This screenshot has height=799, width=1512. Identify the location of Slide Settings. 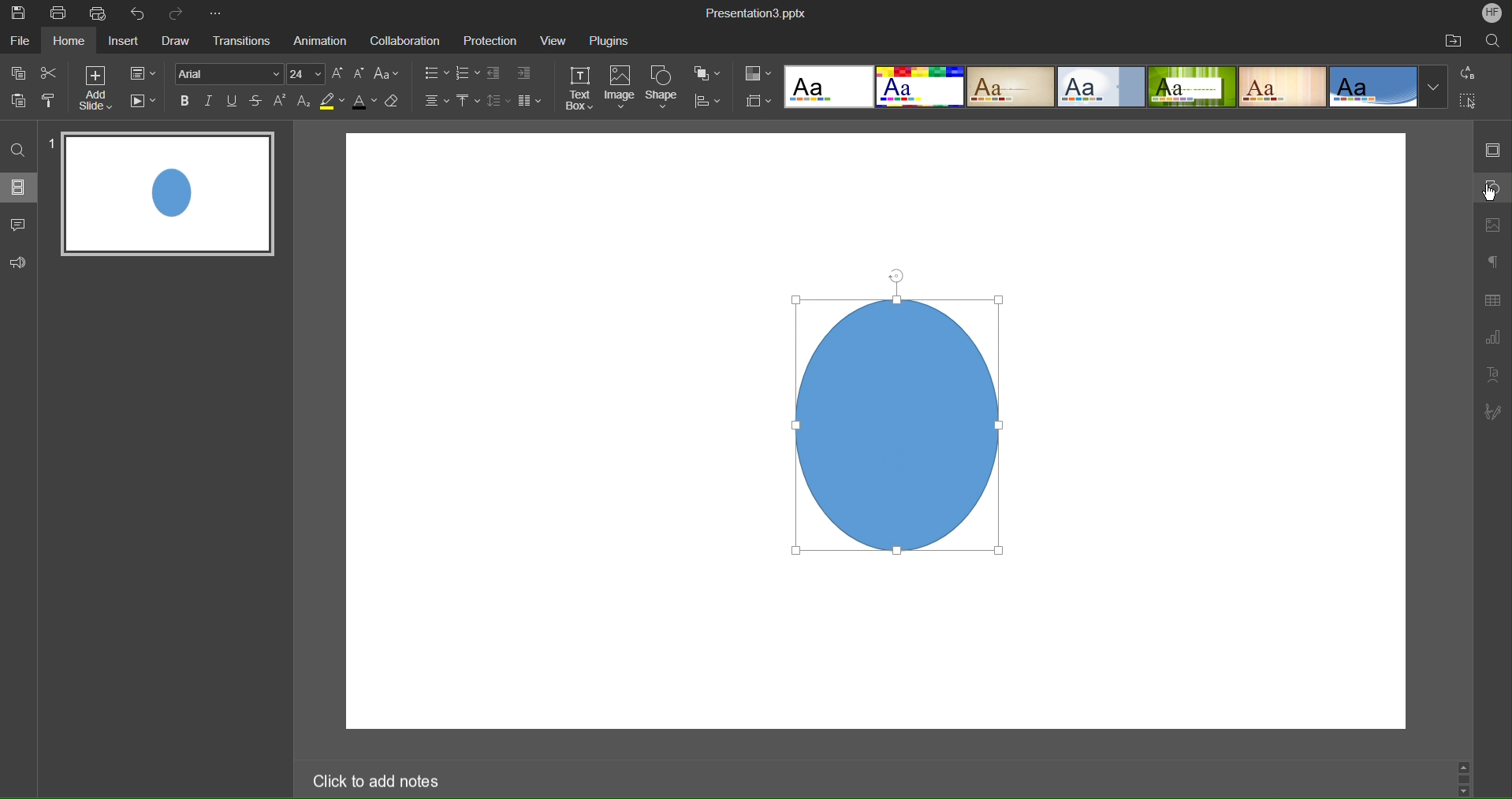
(143, 74).